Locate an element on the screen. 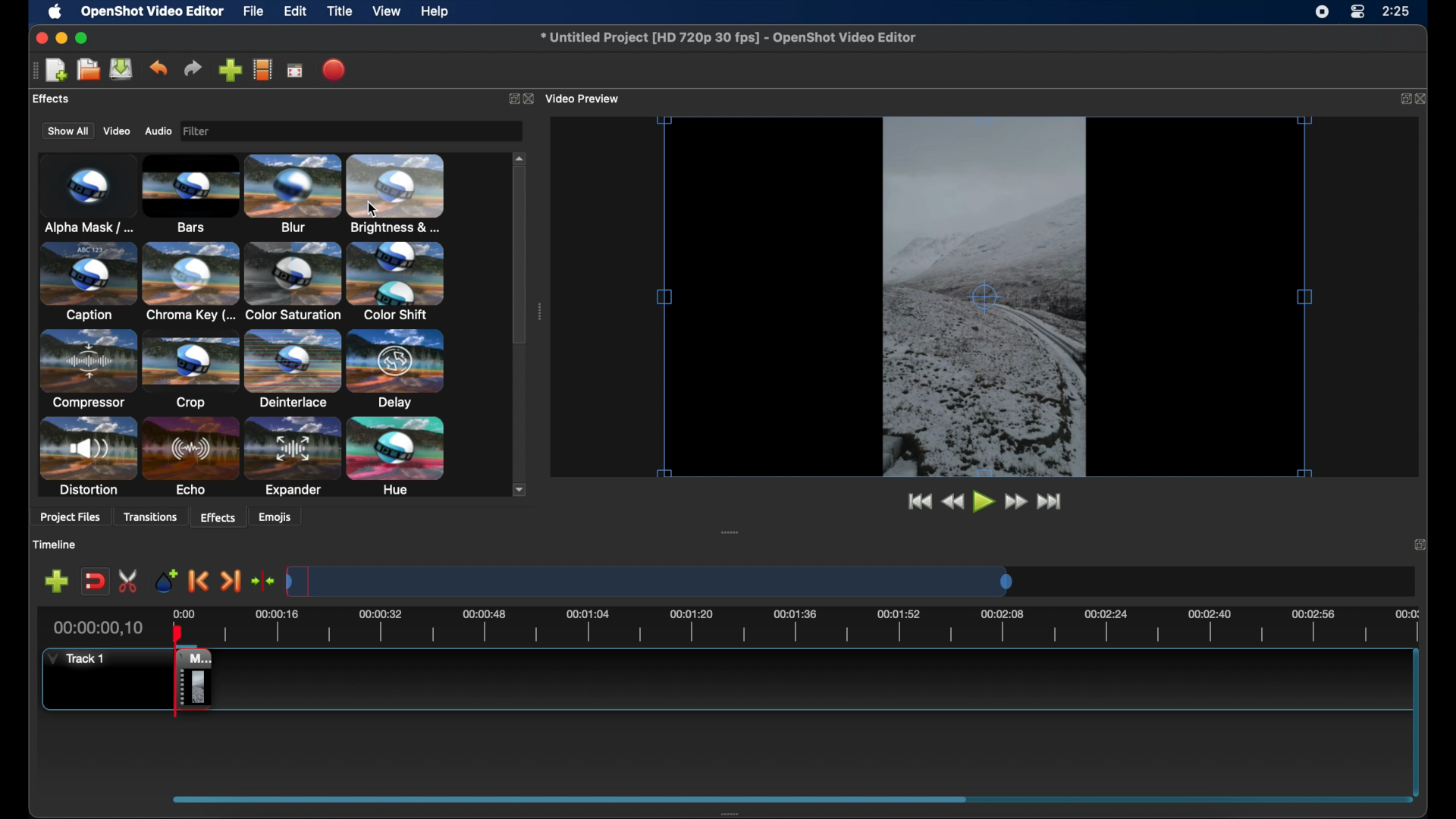  video is located at coordinates (117, 131).